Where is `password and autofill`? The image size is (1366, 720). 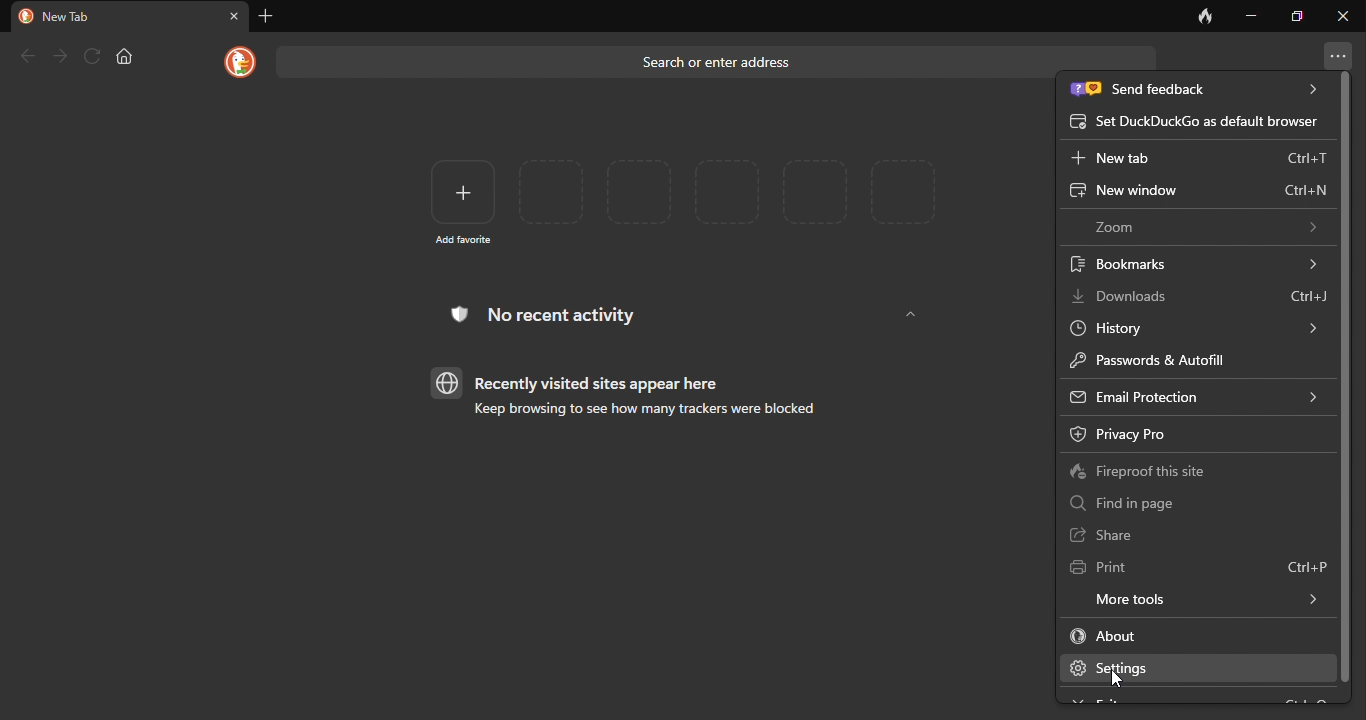 password and autofill is located at coordinates (1173, 360).